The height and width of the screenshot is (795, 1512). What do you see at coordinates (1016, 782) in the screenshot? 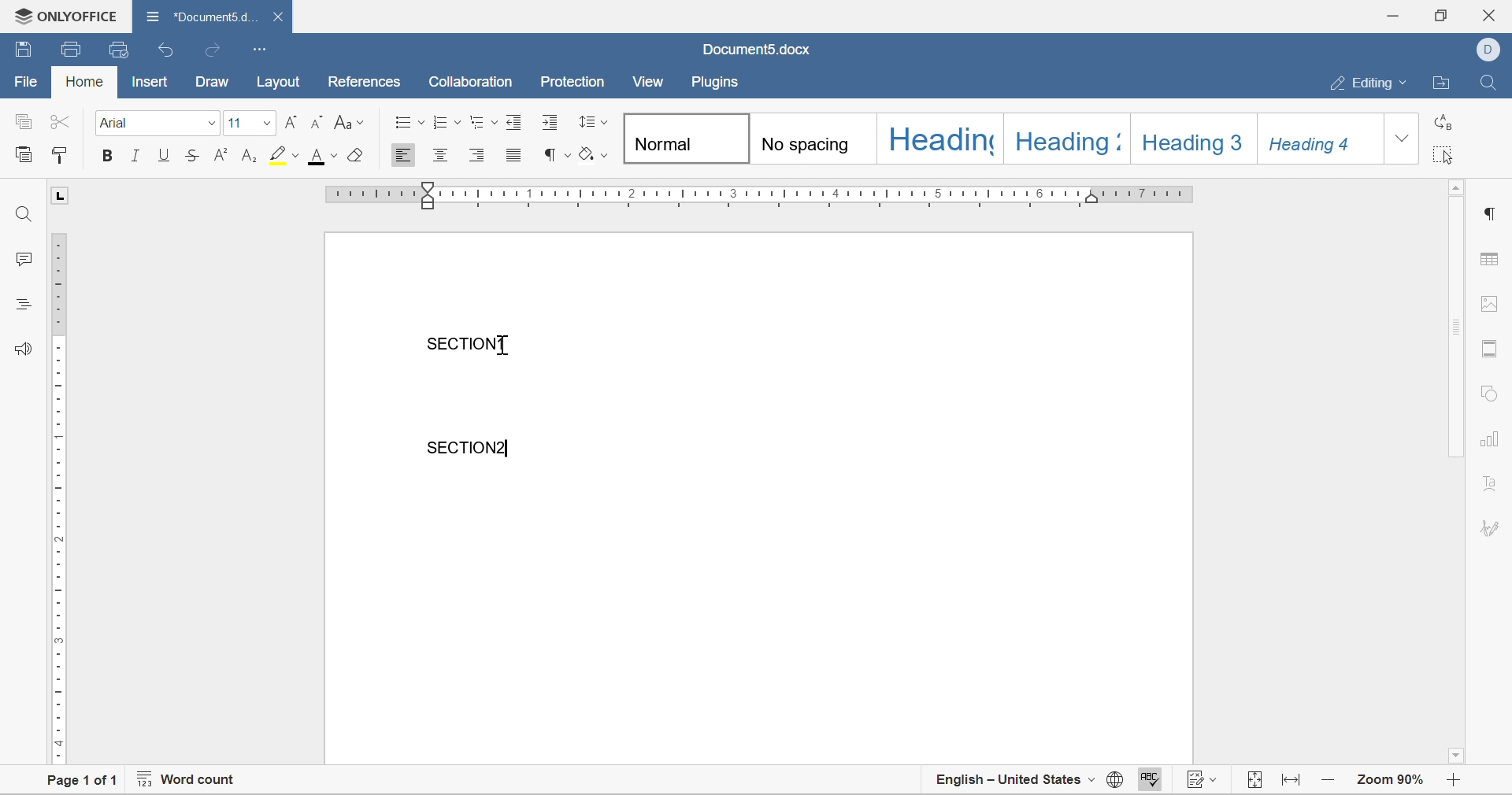
I see `english - united states` at bounding box center [1016, 782].